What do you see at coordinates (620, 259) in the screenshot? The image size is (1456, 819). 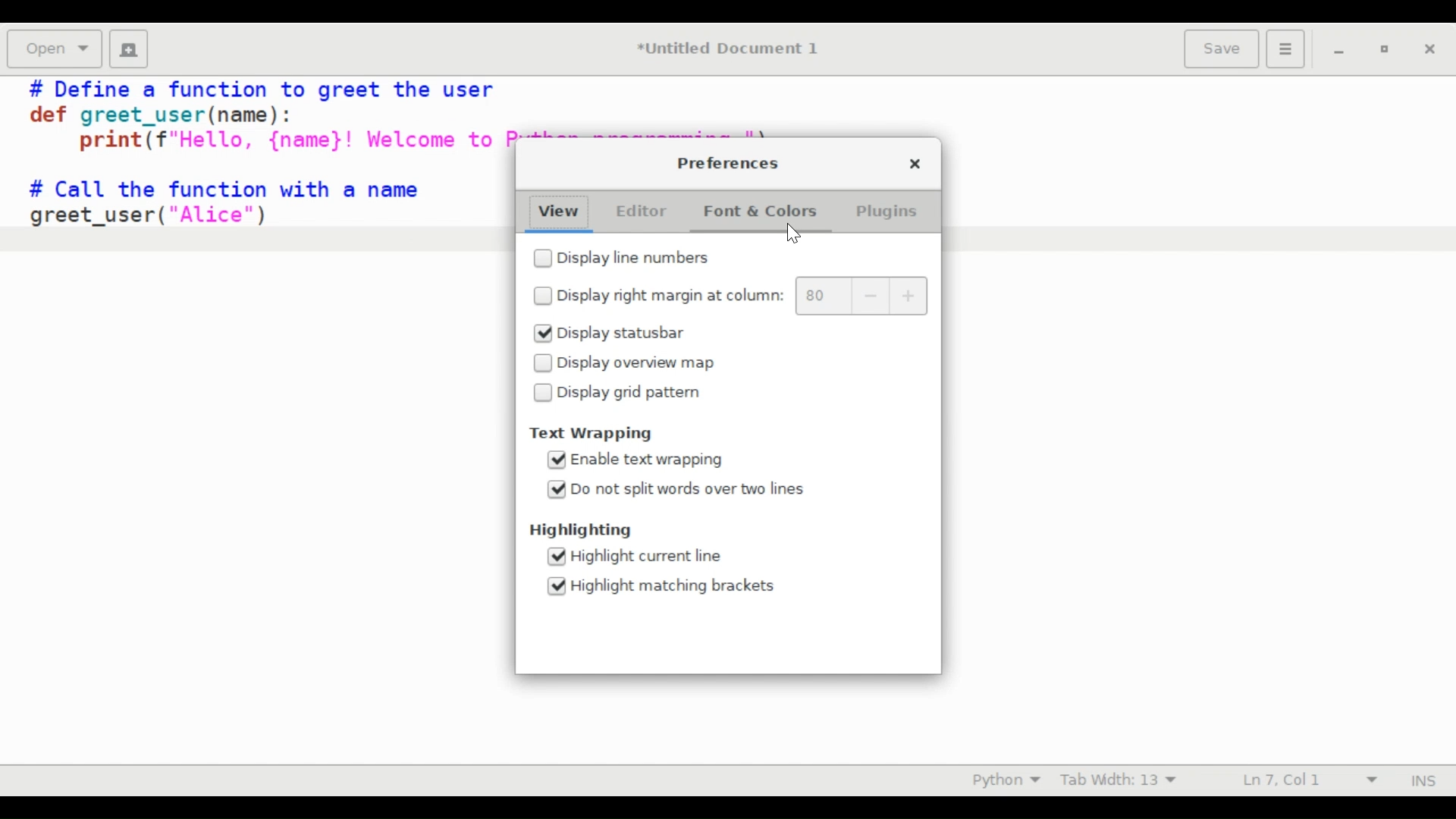 I see `(un)check Display line numbers` at bounding box center [620, 259].